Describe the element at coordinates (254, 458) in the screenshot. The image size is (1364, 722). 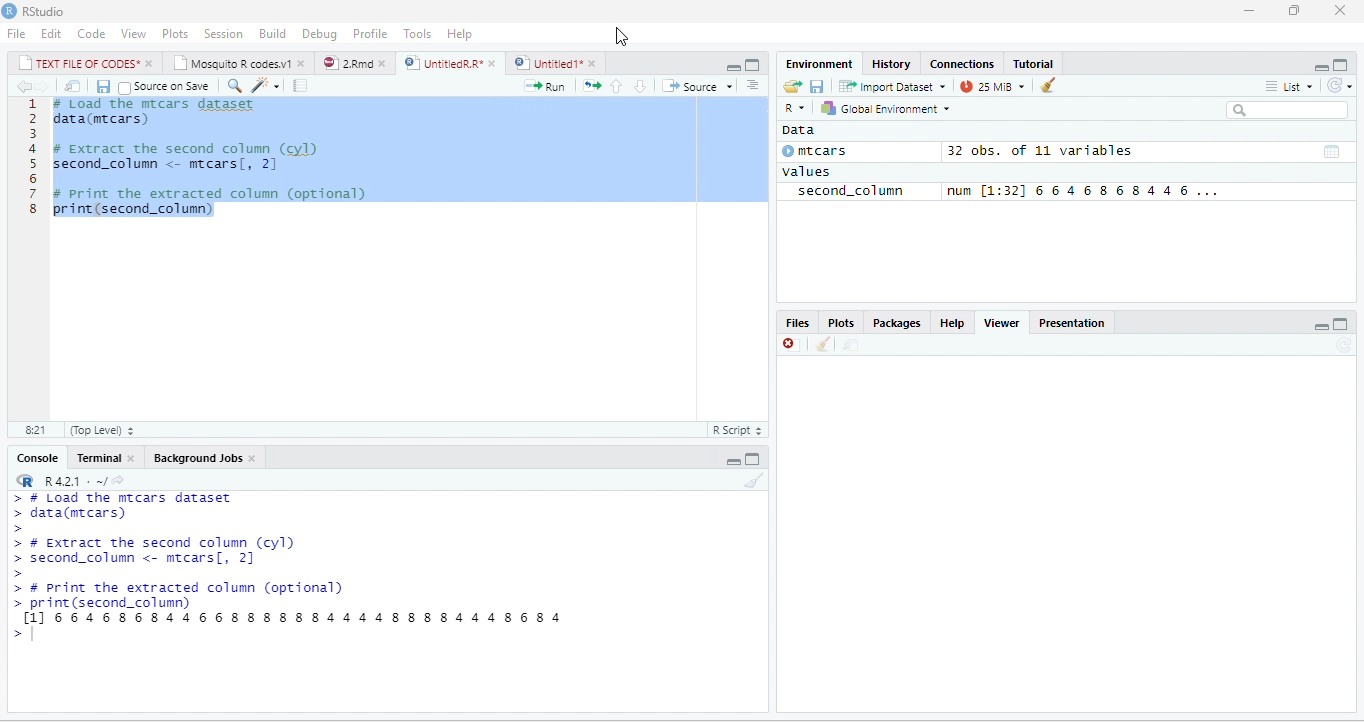
I see `close` at that location.